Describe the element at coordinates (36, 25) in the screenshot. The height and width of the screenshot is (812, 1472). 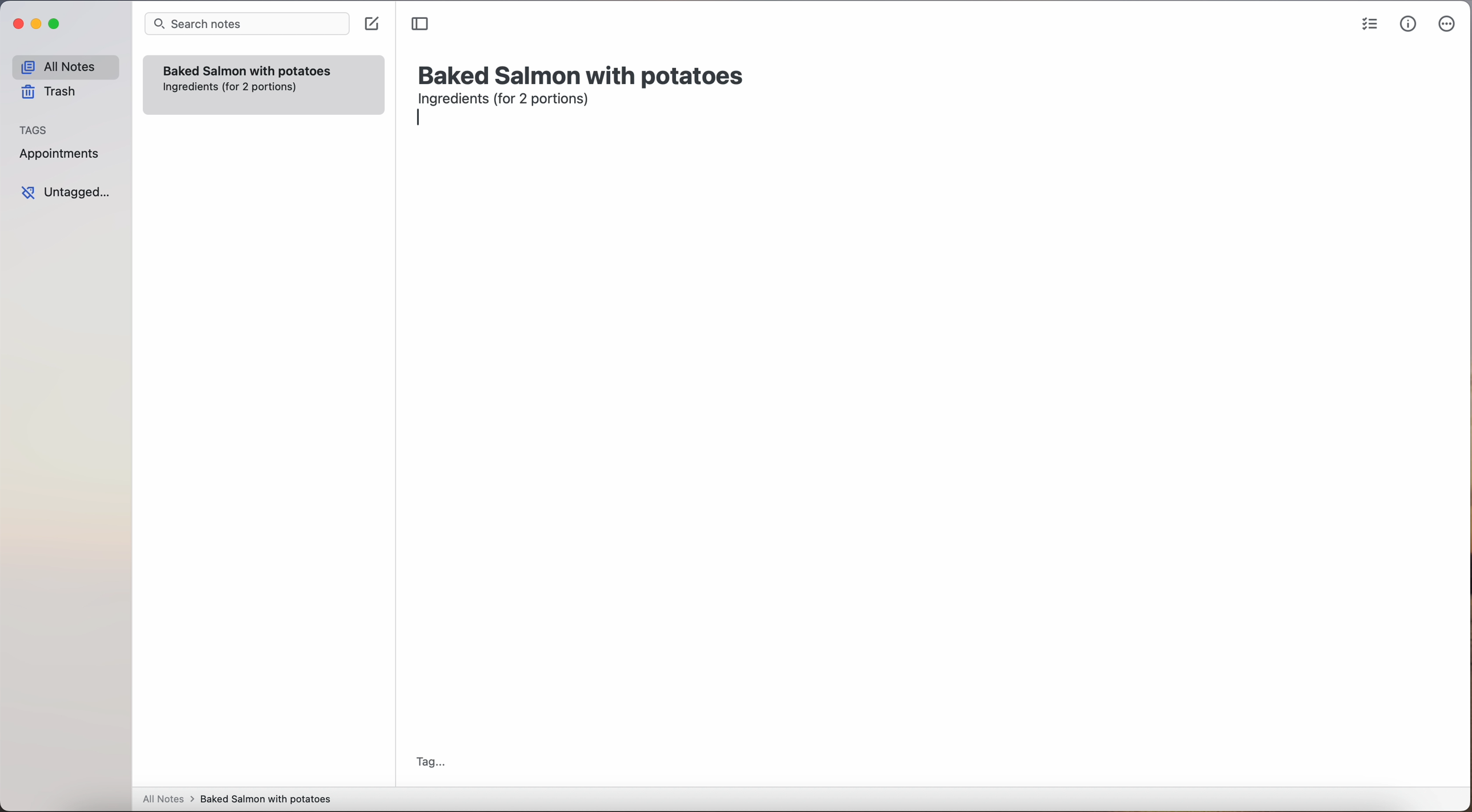
I see `minimize Simplenote` at that location.